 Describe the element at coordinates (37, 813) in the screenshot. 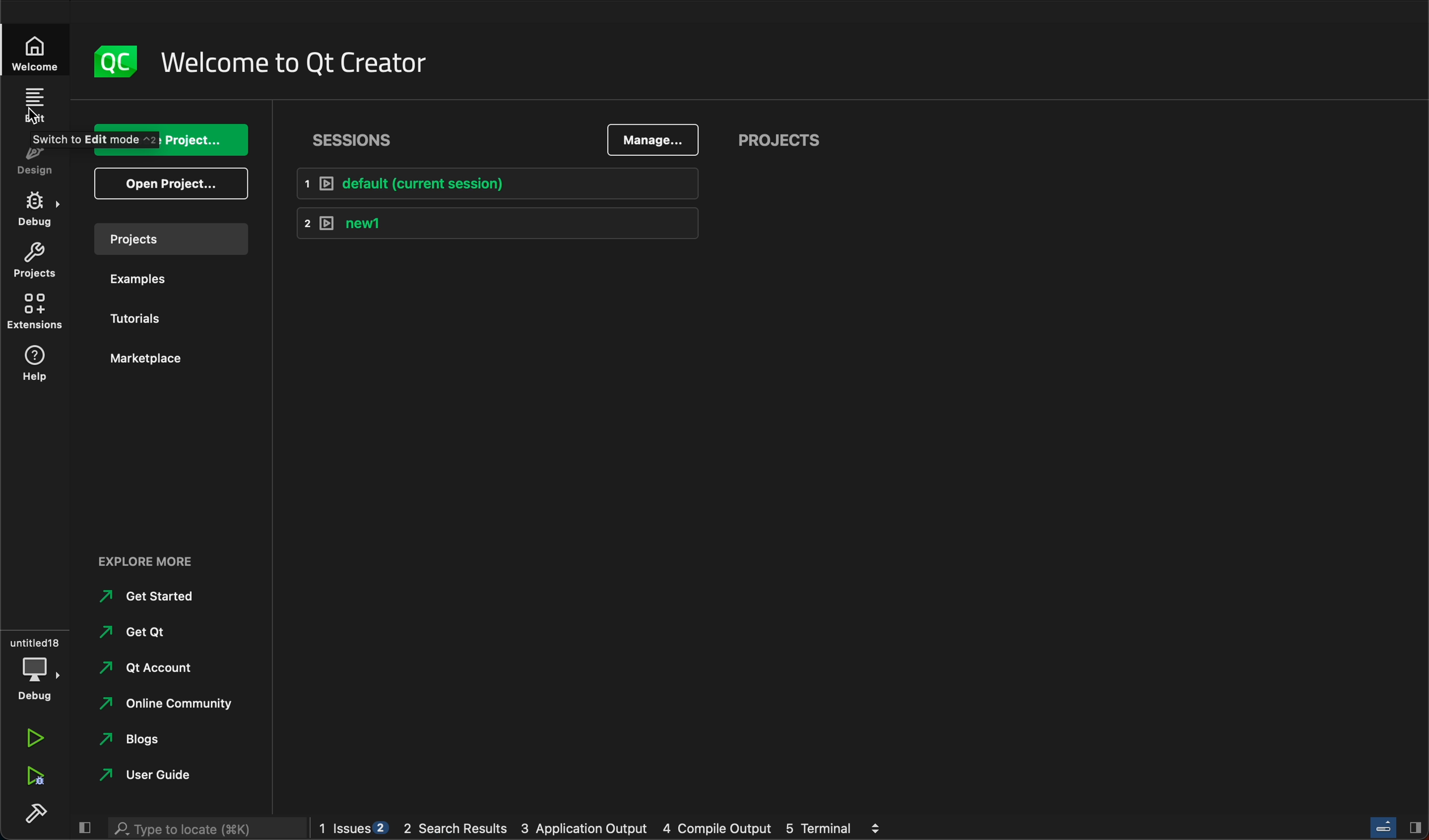

I see `build` at that location.